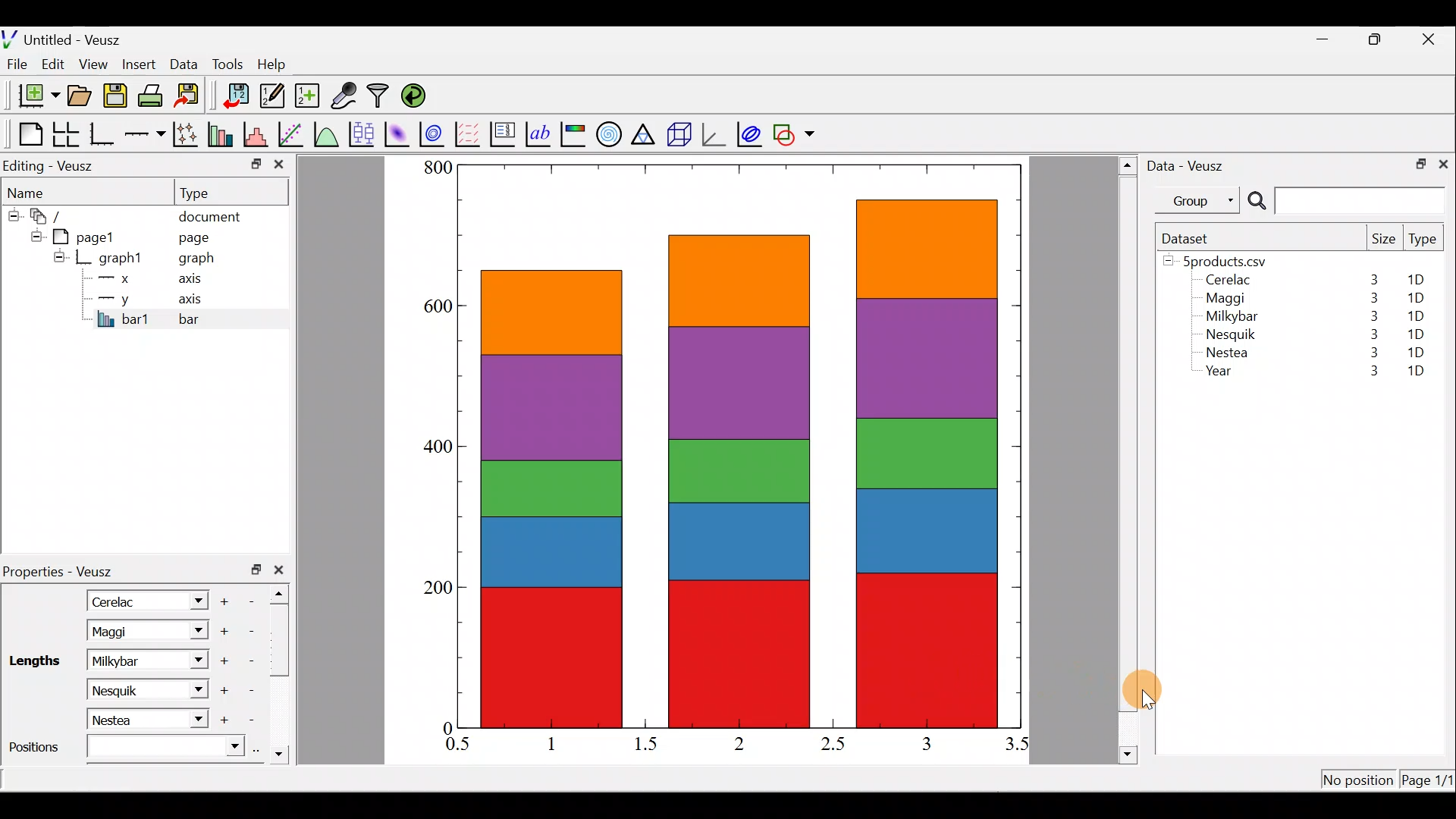 Image resolution: width=1456 pixels, height=819 pixels. What do you see at coordinates (222, 632) in the screenshot?
I see `Add another item` at bounding box center [222, 632].